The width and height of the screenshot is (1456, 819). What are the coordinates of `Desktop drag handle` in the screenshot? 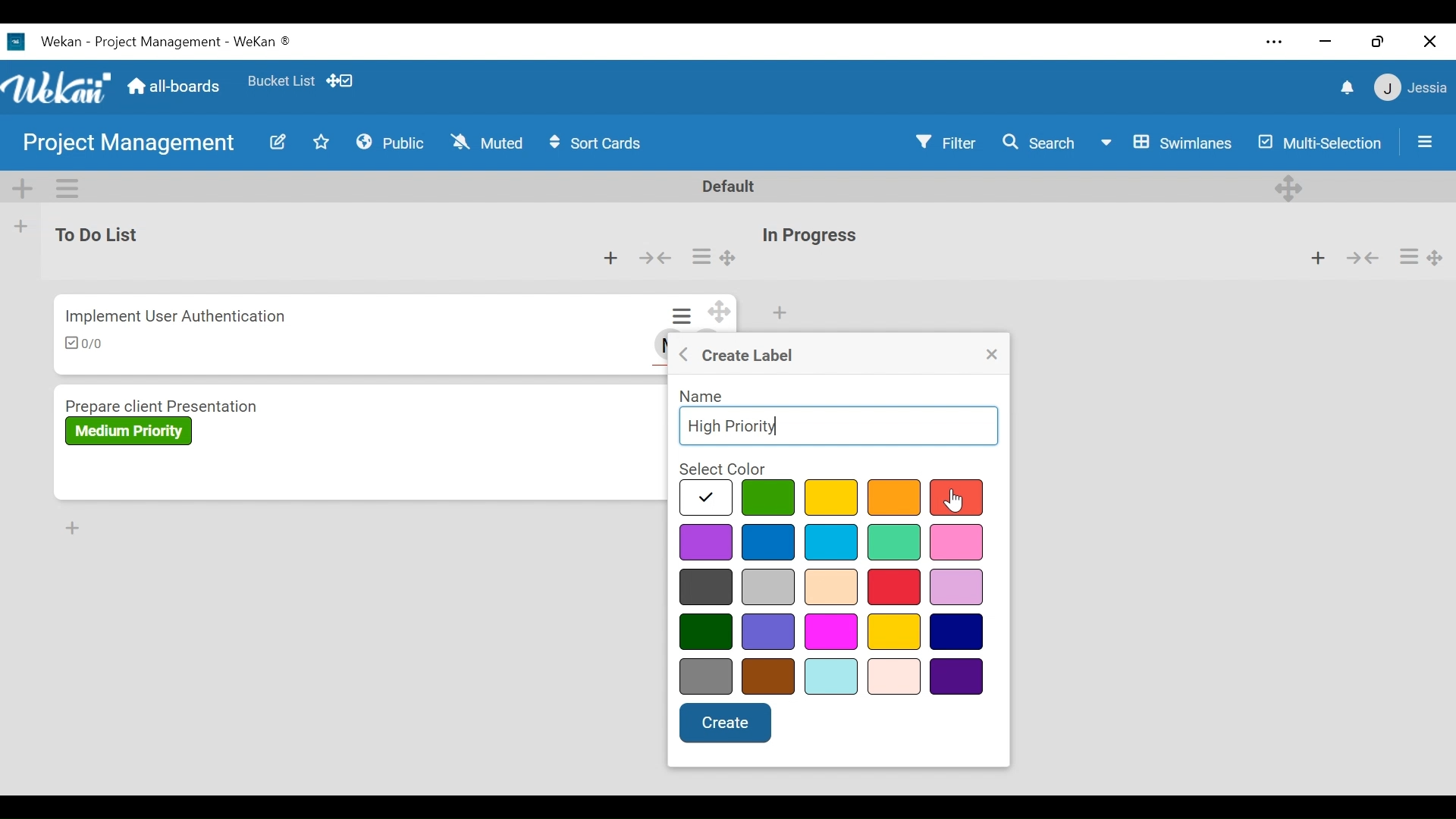 It's located at (729, 259).